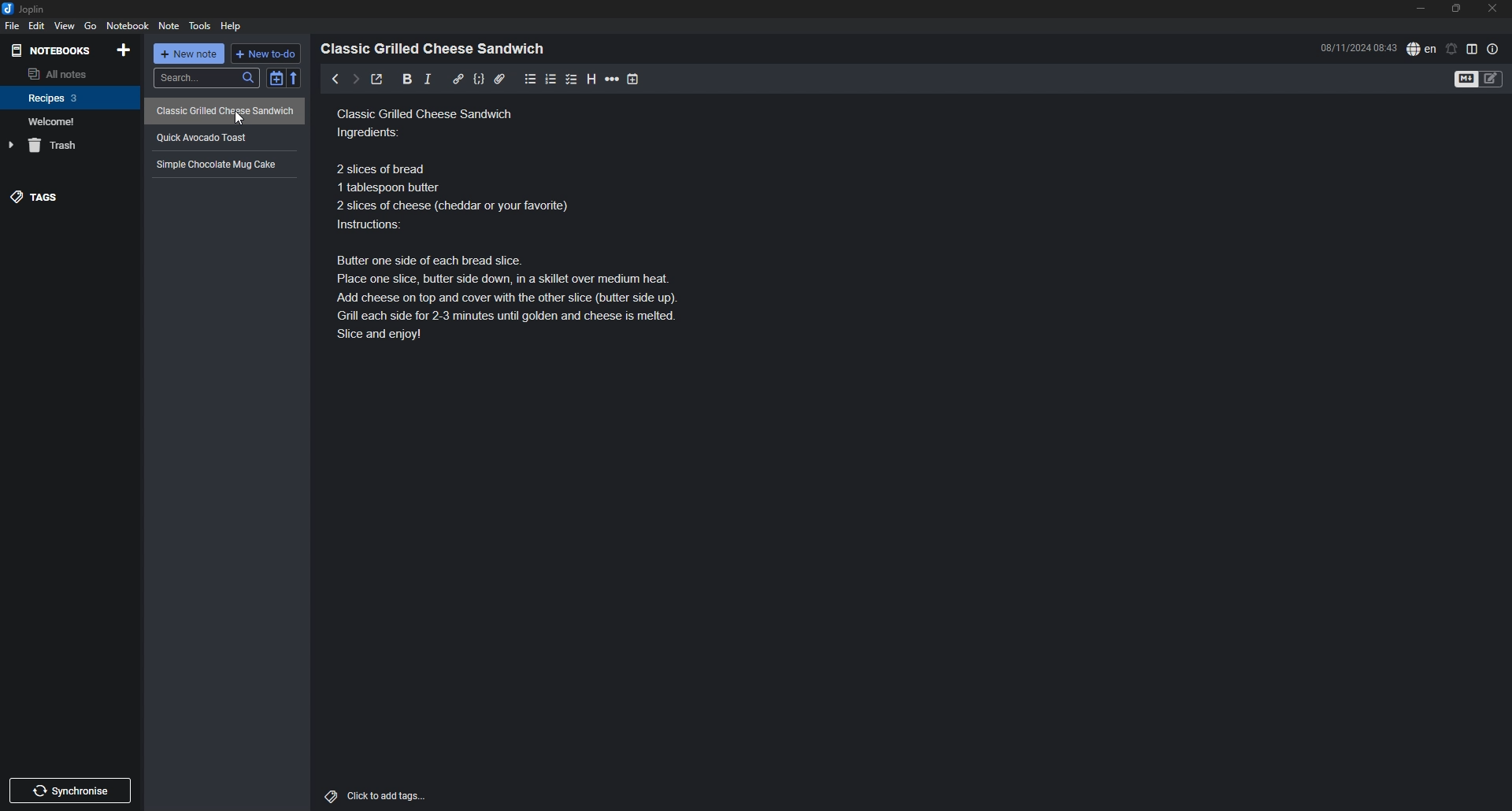 The image size is (1512, 811). What do you see at coordinates (406, 80) in the screenshot?
I see `bold` at bounding box center [406, 80].